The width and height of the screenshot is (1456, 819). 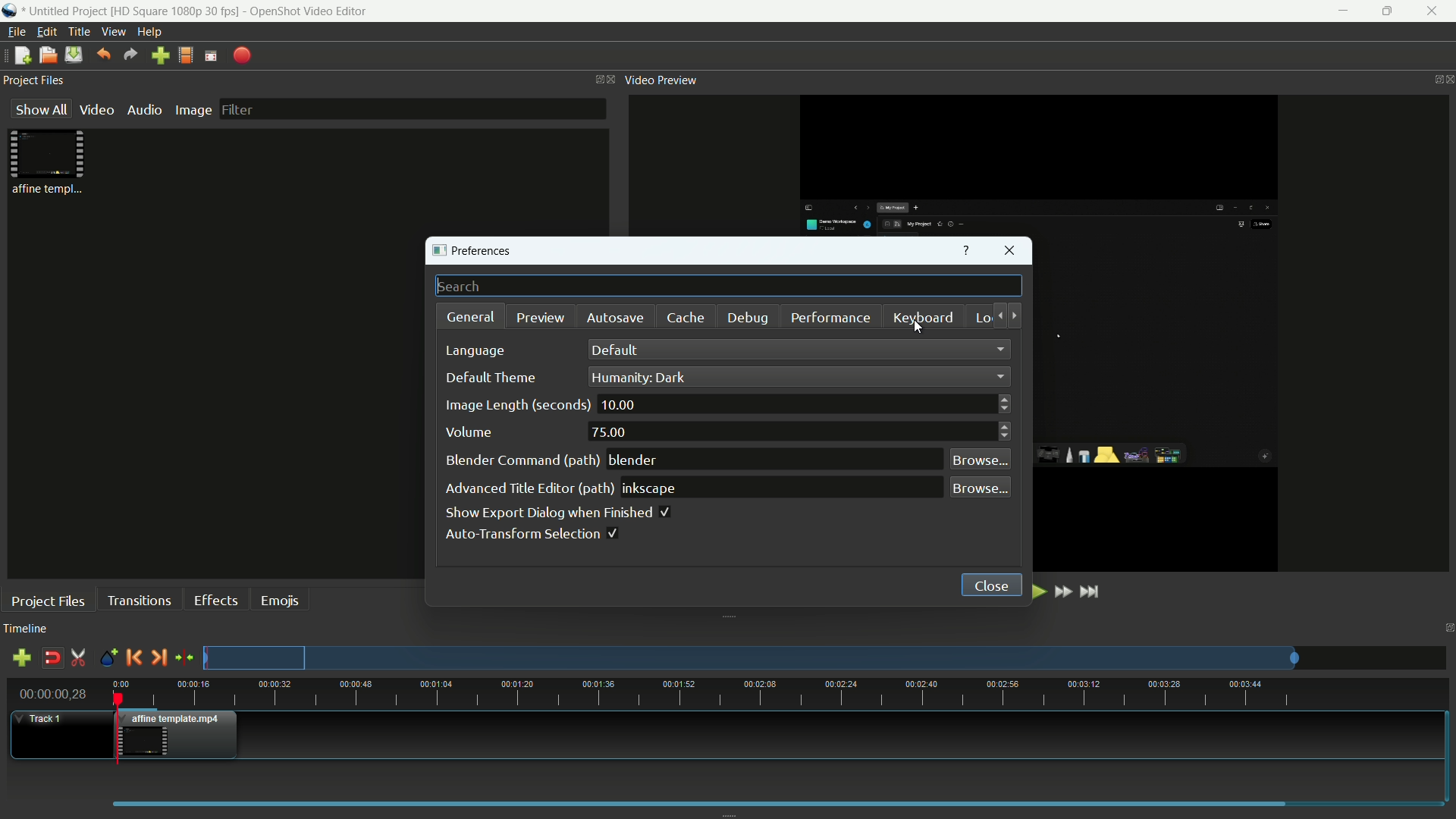 I want to click on general, so click(x=472, y=318).